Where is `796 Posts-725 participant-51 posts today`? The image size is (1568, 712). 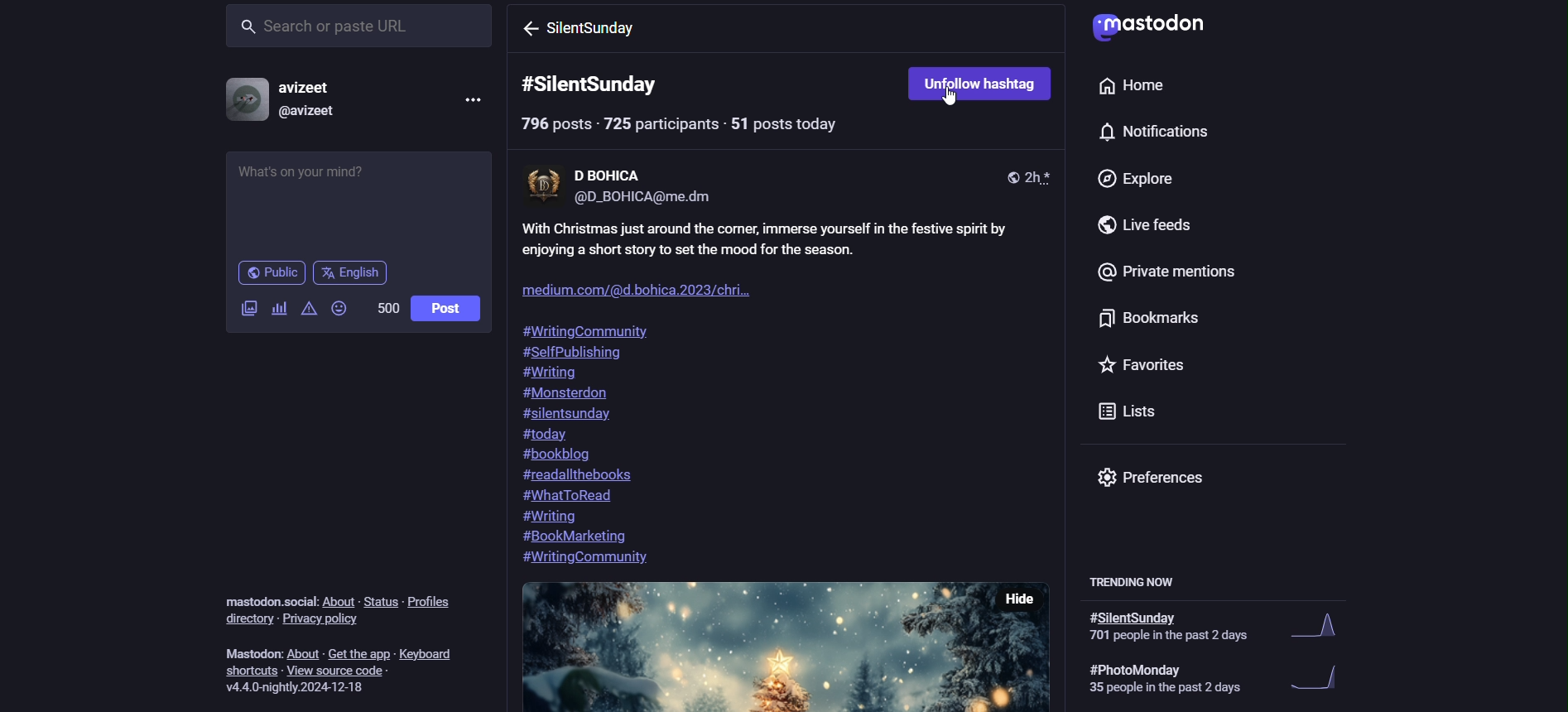 796 Posts-725 participant-51 posts today is located at coordinates (679, 126).